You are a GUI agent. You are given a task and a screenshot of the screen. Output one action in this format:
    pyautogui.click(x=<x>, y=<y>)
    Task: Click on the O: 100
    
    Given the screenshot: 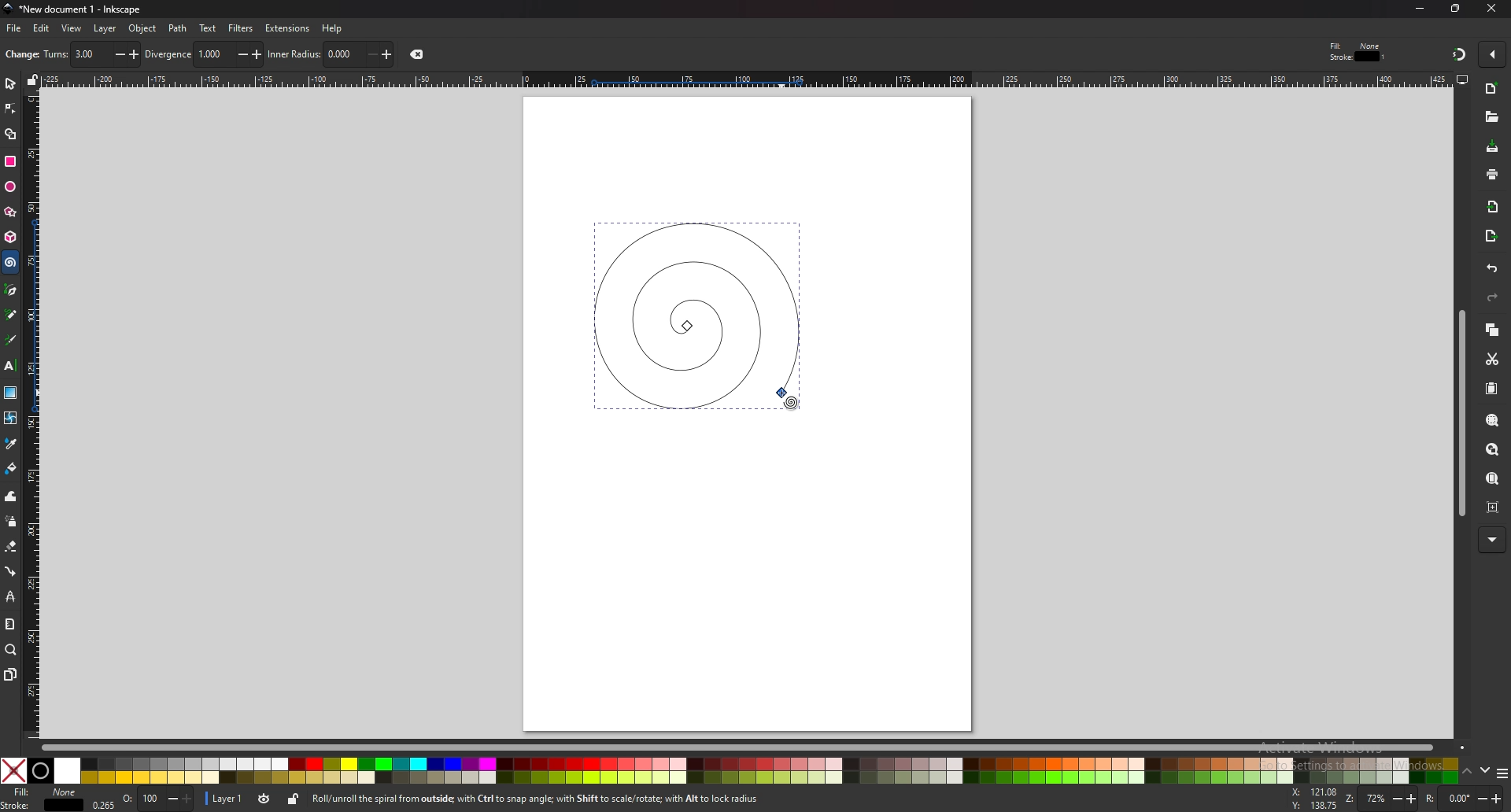 What is the action you would take?
    pyautogui.click(x=156, y=799)
    